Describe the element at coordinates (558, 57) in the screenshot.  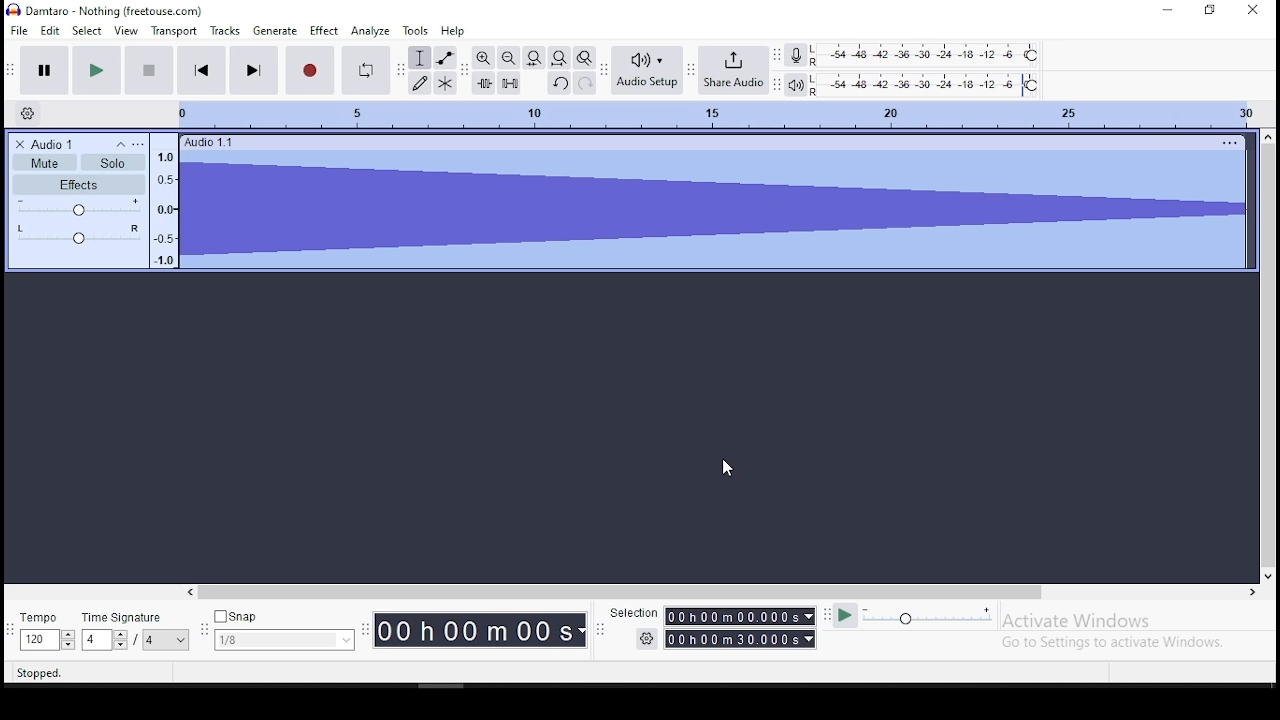
I see `fit project to width` at that location.